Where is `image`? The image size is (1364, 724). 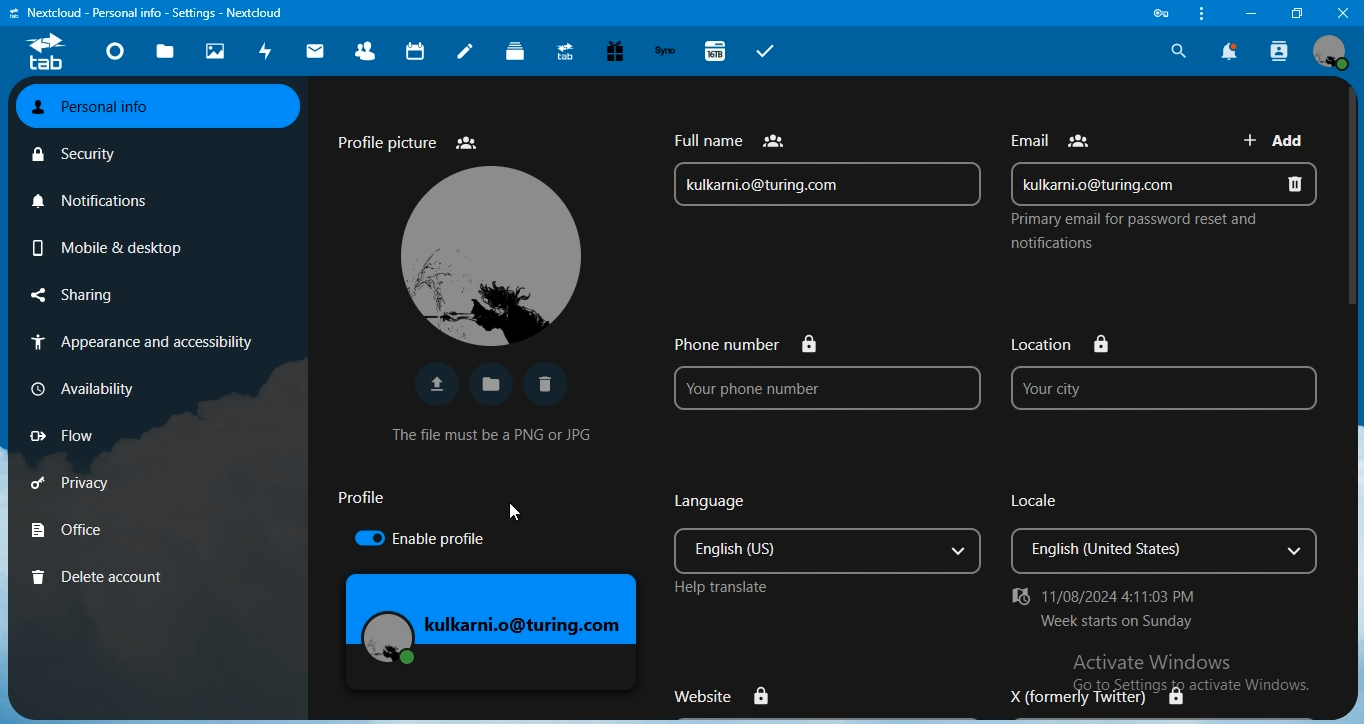
image is located at coordinates (488, 254).